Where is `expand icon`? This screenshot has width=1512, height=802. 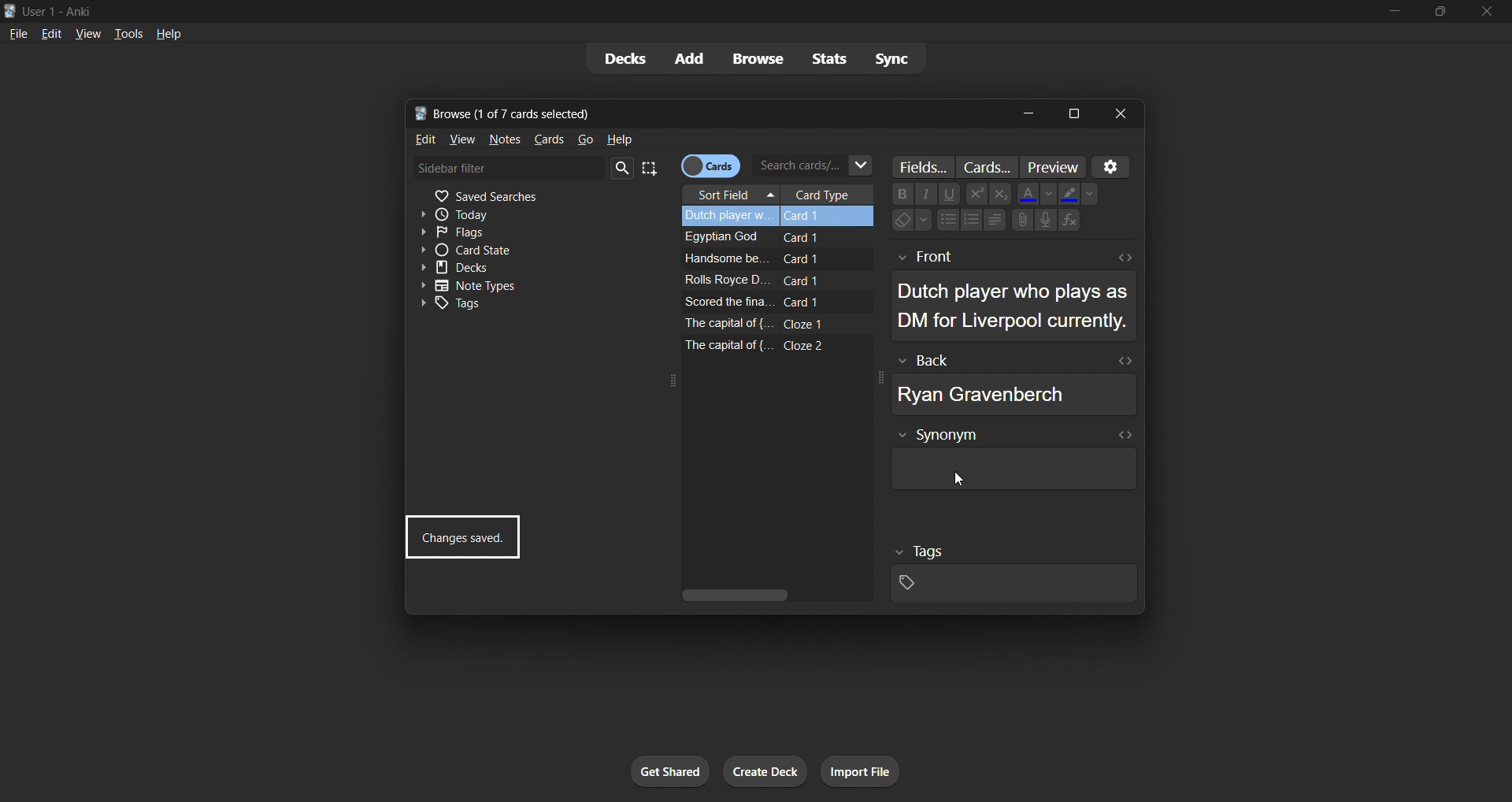 expand icon is located at coordinates (668, 381).